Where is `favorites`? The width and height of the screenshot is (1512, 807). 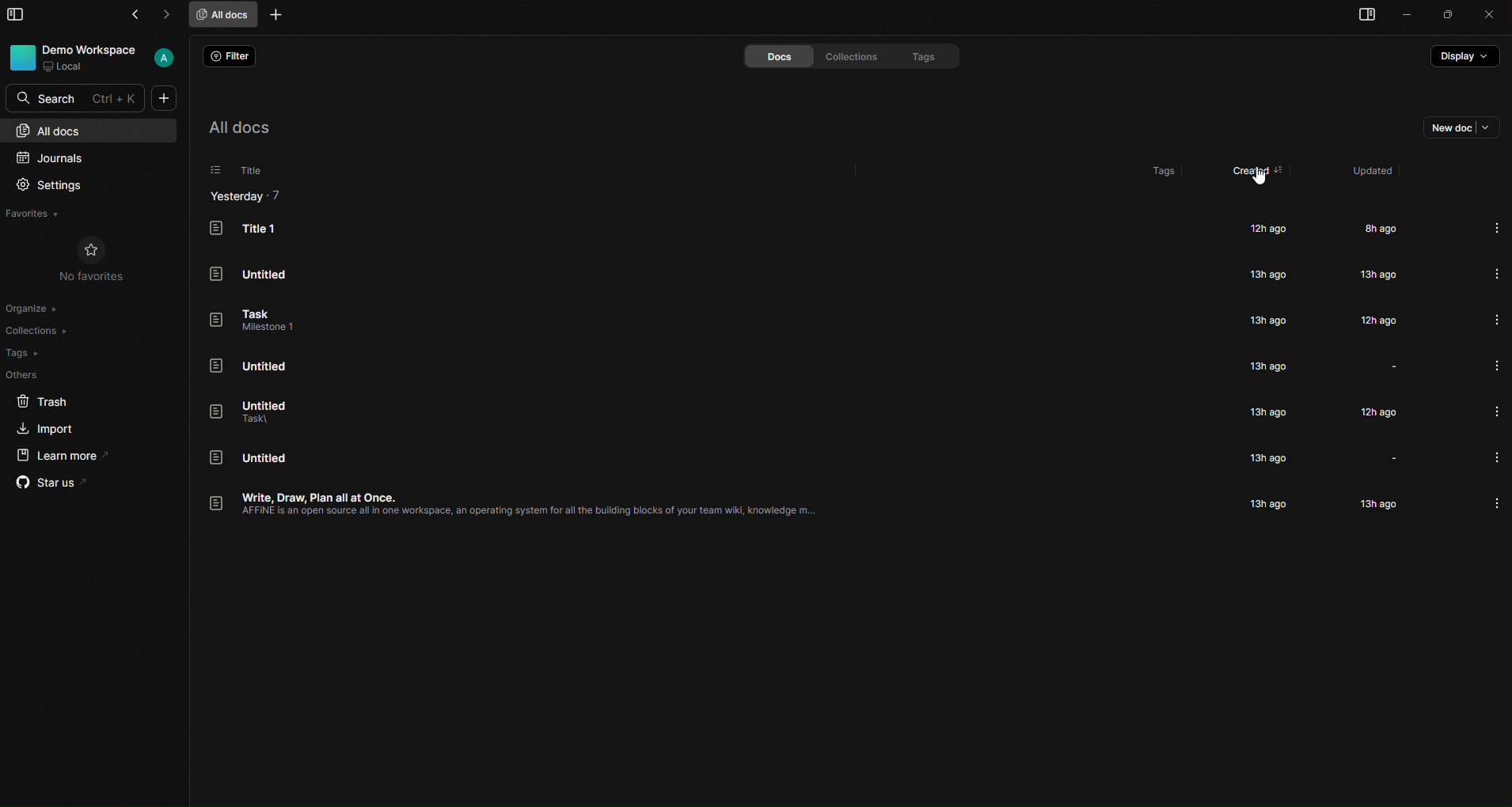 favorites is located at coordinates (32, 214).